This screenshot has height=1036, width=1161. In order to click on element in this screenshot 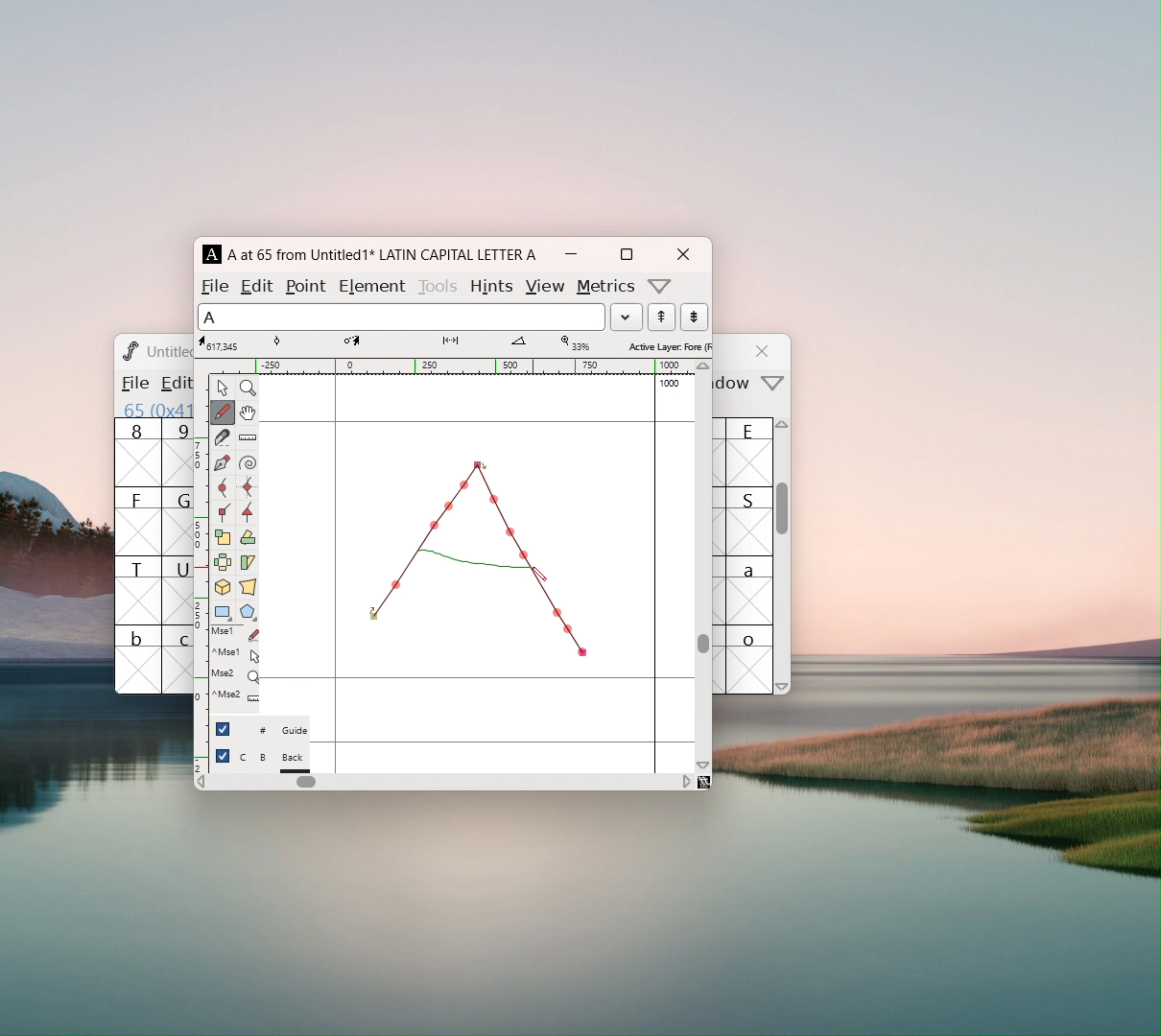, I will do `click(371, 284)`.